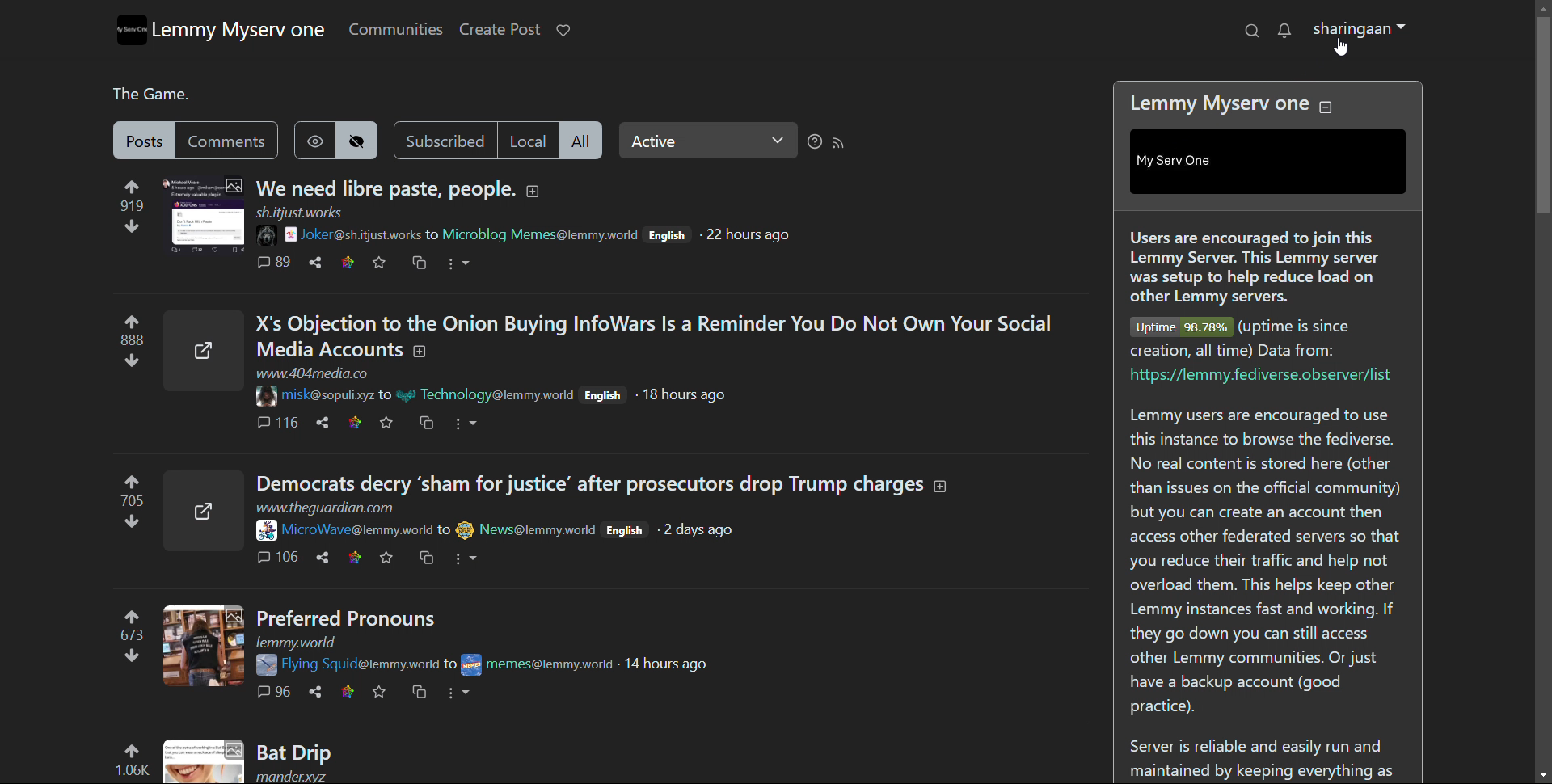 The height and width of the screenshot is (784, 1552). I want to click on link, so click(353, 690).